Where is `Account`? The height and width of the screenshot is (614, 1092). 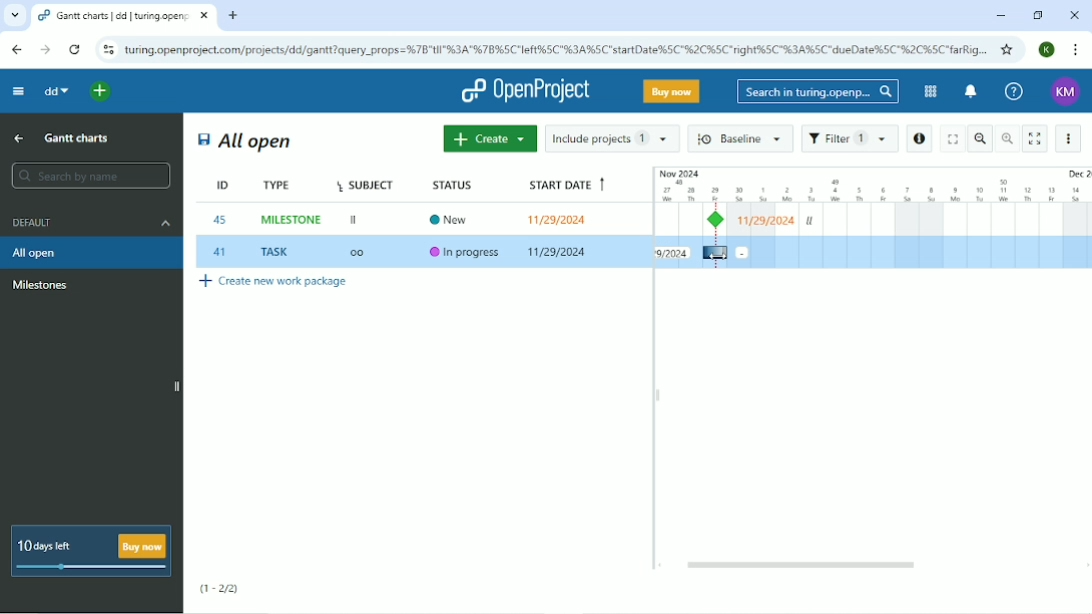
Account is located at coordinates (1046, 50).